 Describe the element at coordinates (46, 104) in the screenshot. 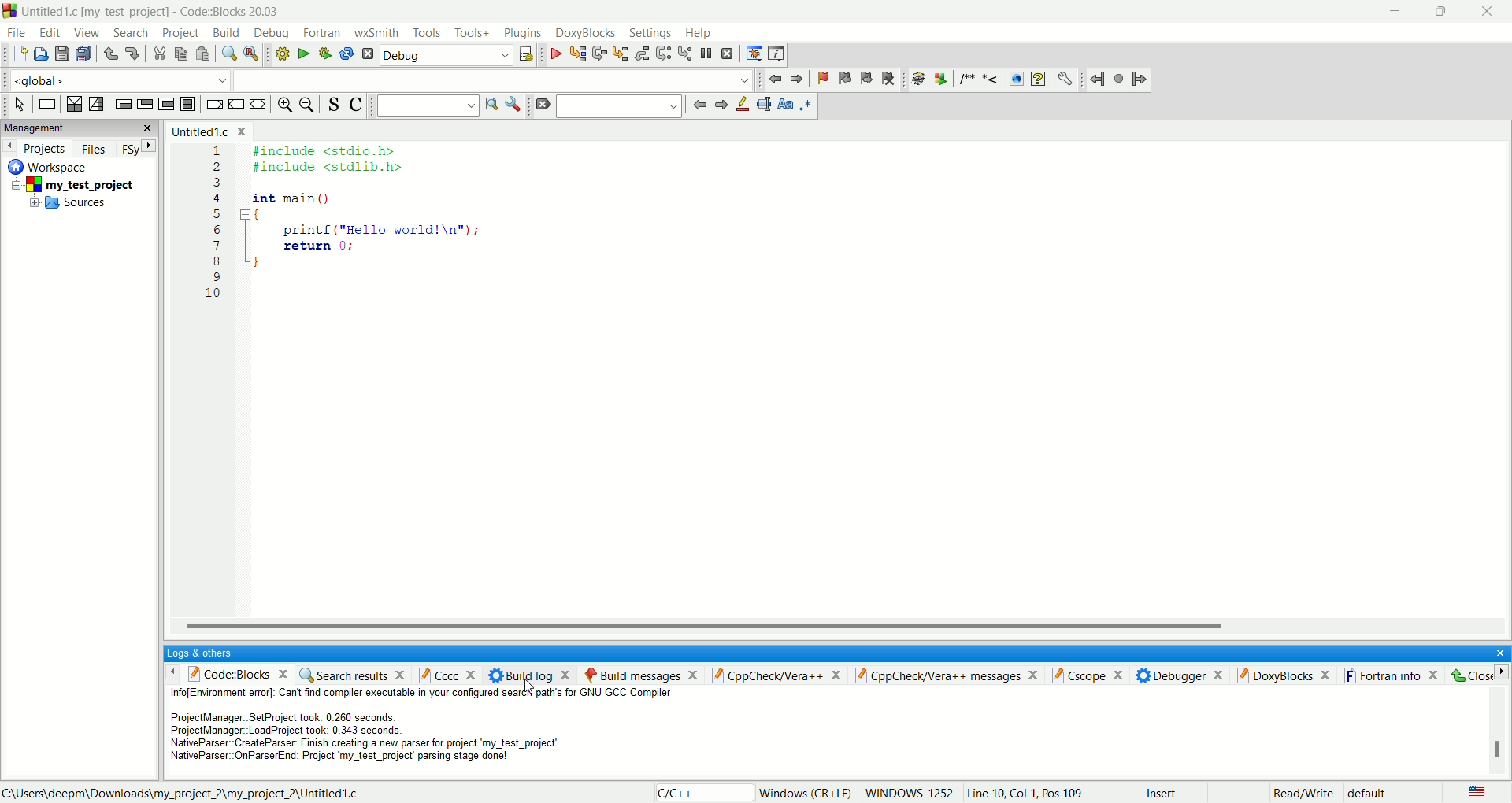

I see `instruction` at that location.